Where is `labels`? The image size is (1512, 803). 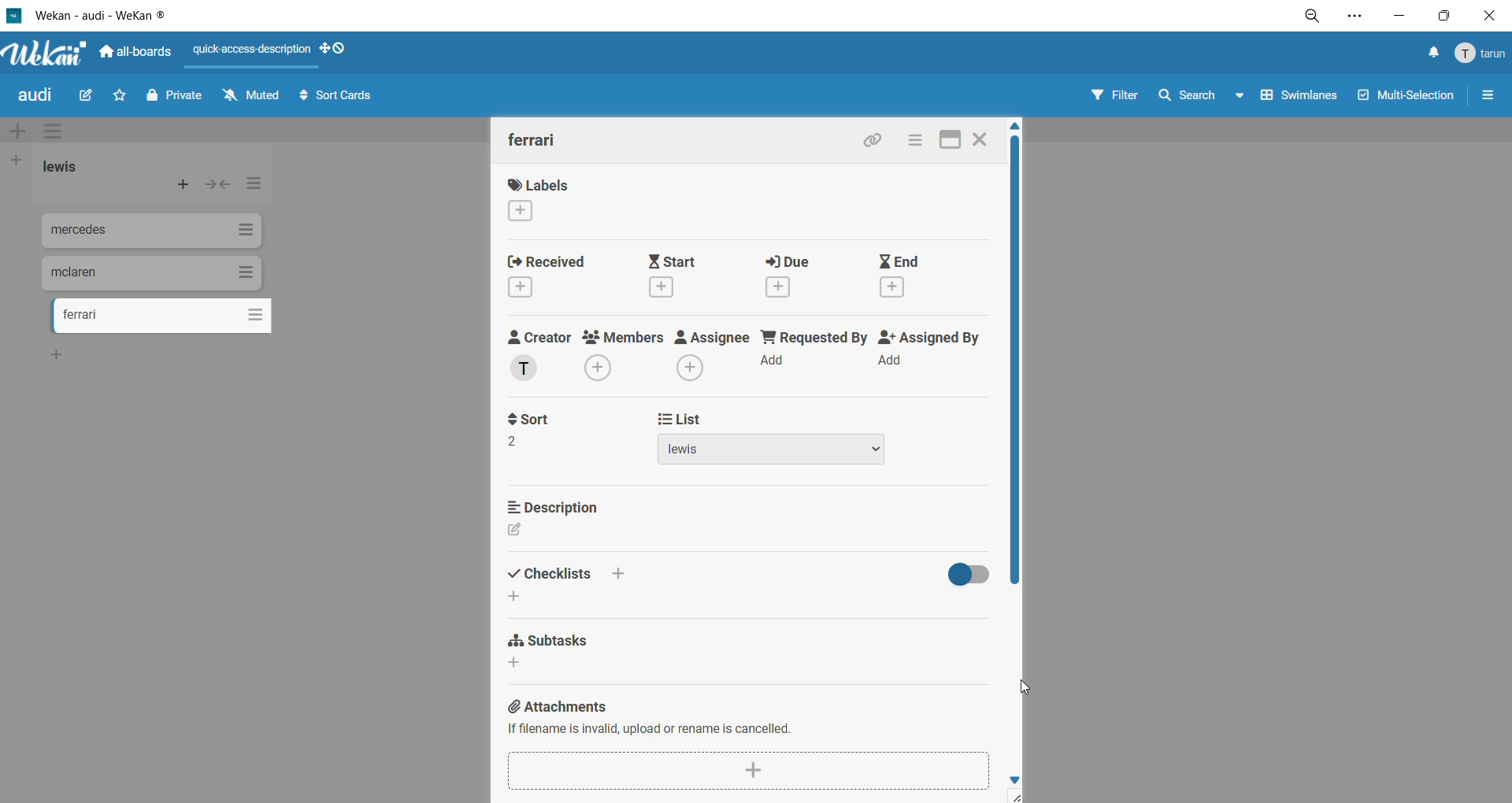
labels is located at coordinates (547, 200).